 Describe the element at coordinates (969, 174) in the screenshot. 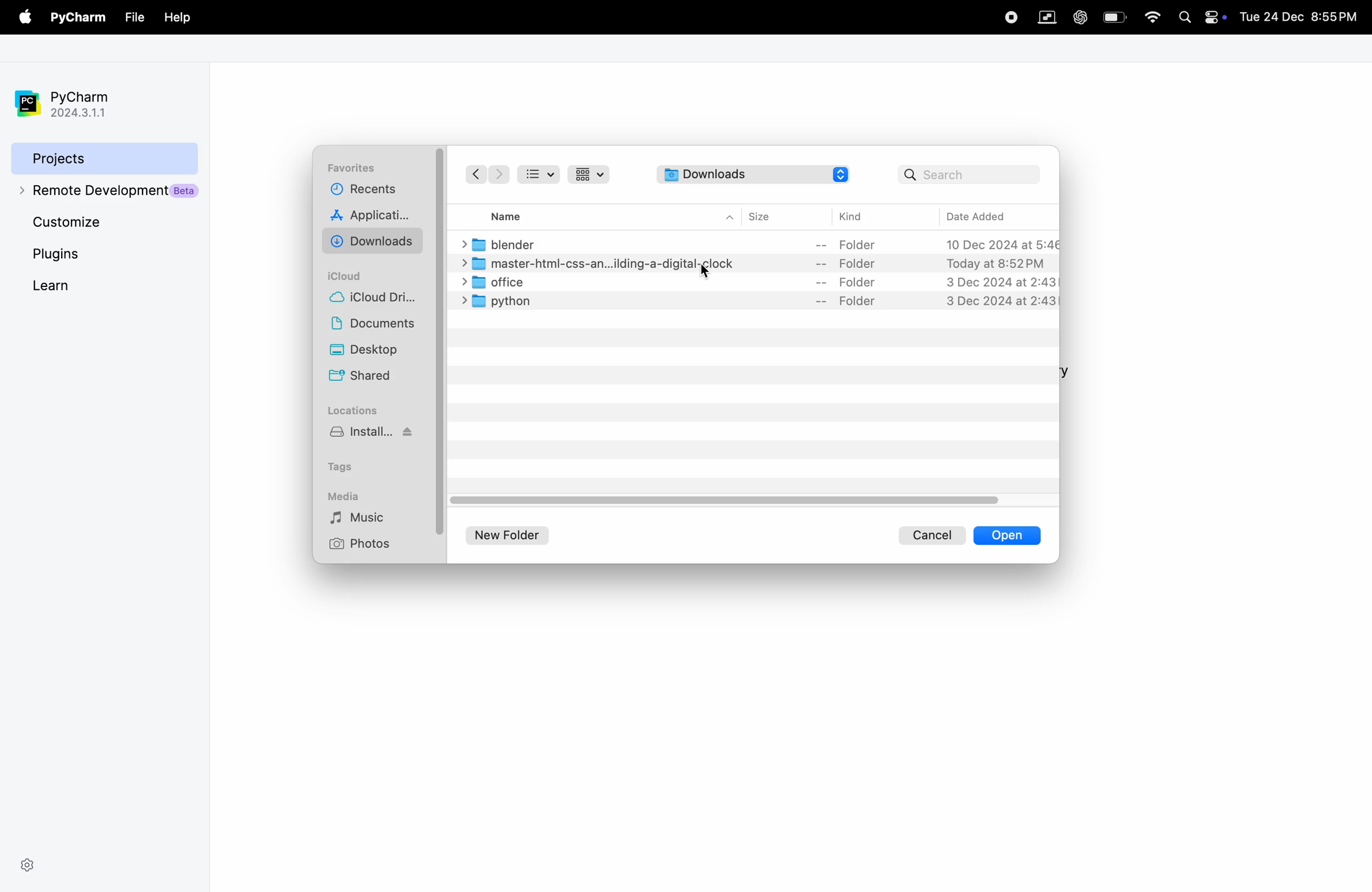

I see `search` at that location.